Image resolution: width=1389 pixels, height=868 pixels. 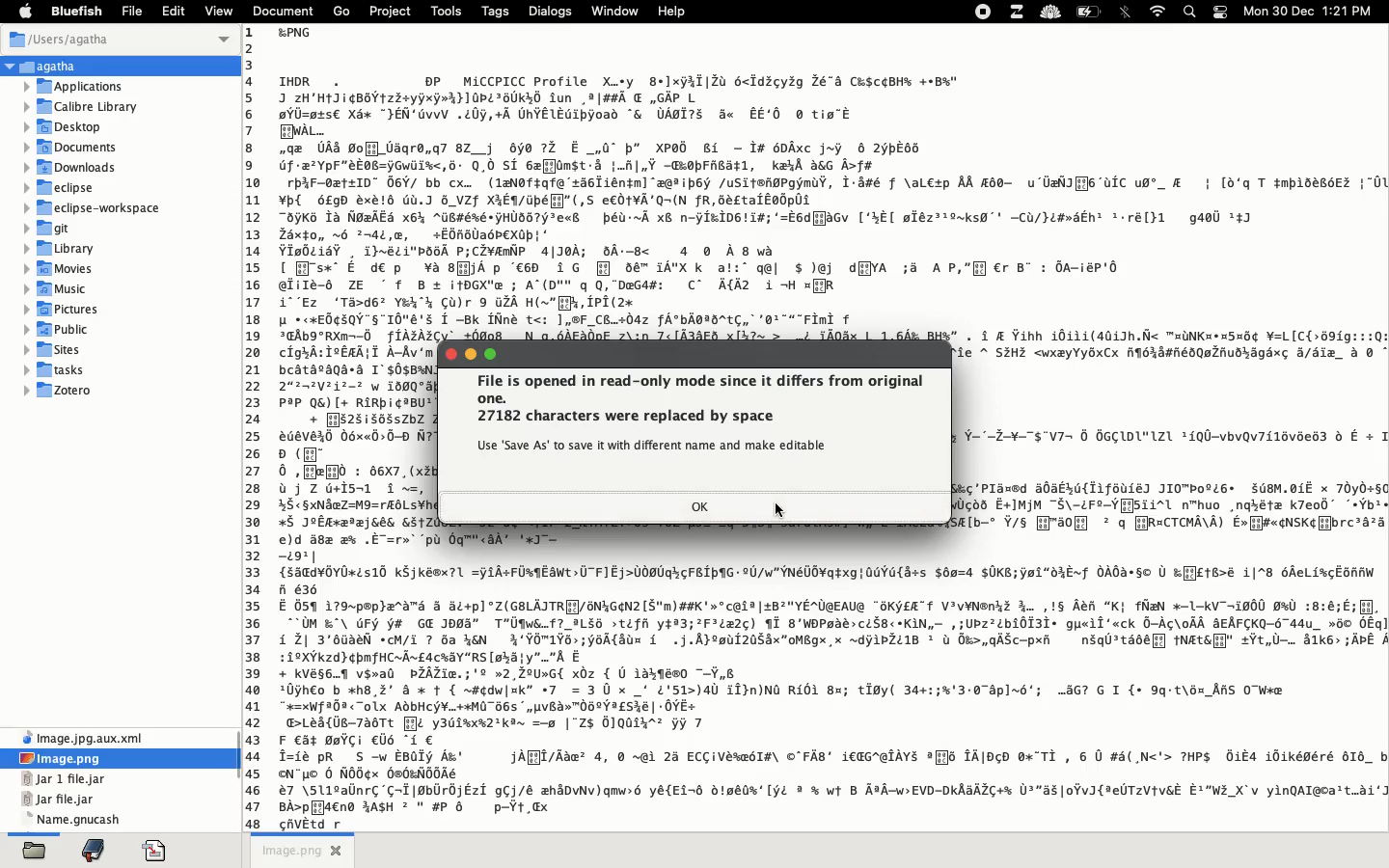 I want to click on downloads, so click(x=73, y=167).